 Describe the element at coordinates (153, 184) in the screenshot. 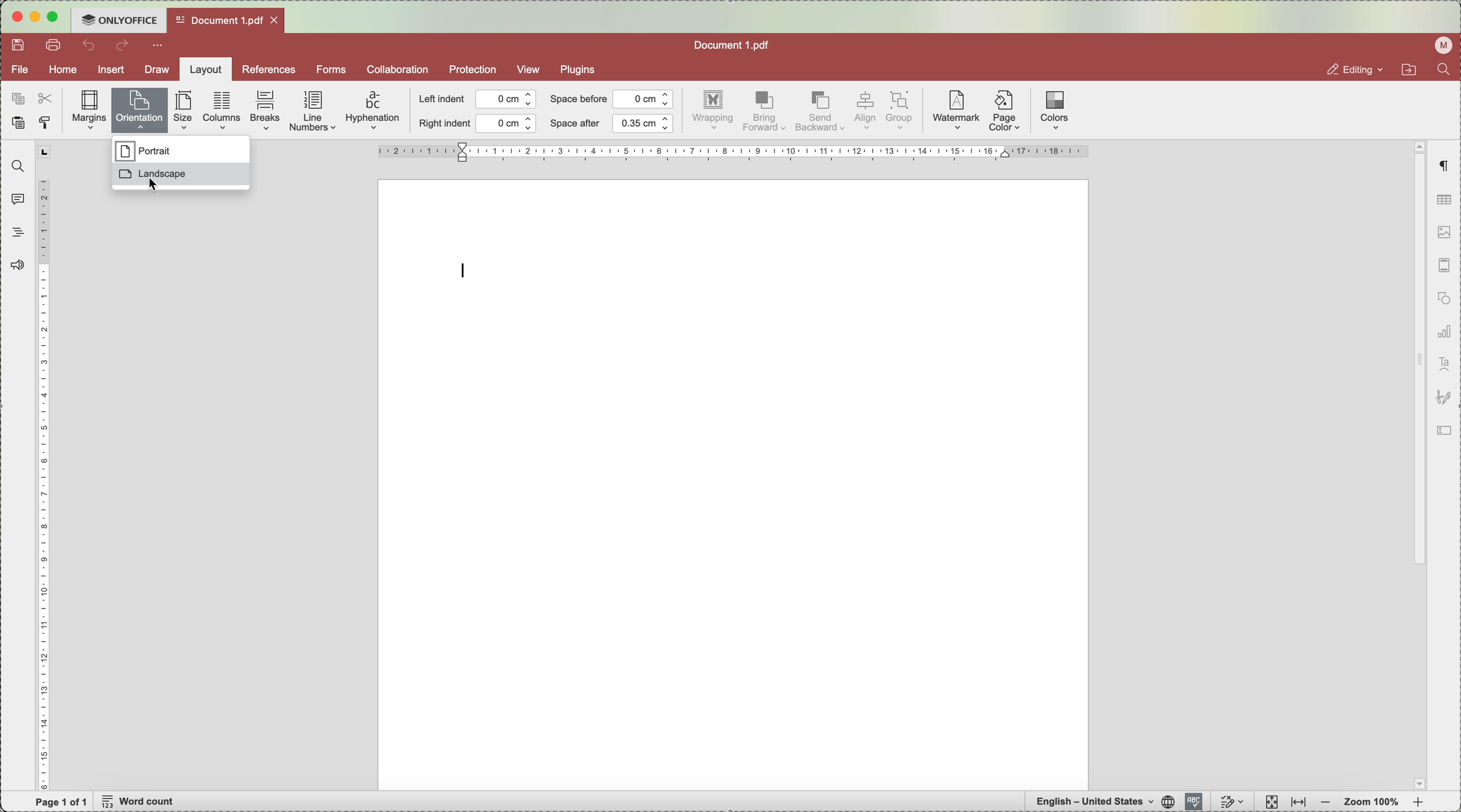

I see `cursor` at that location.